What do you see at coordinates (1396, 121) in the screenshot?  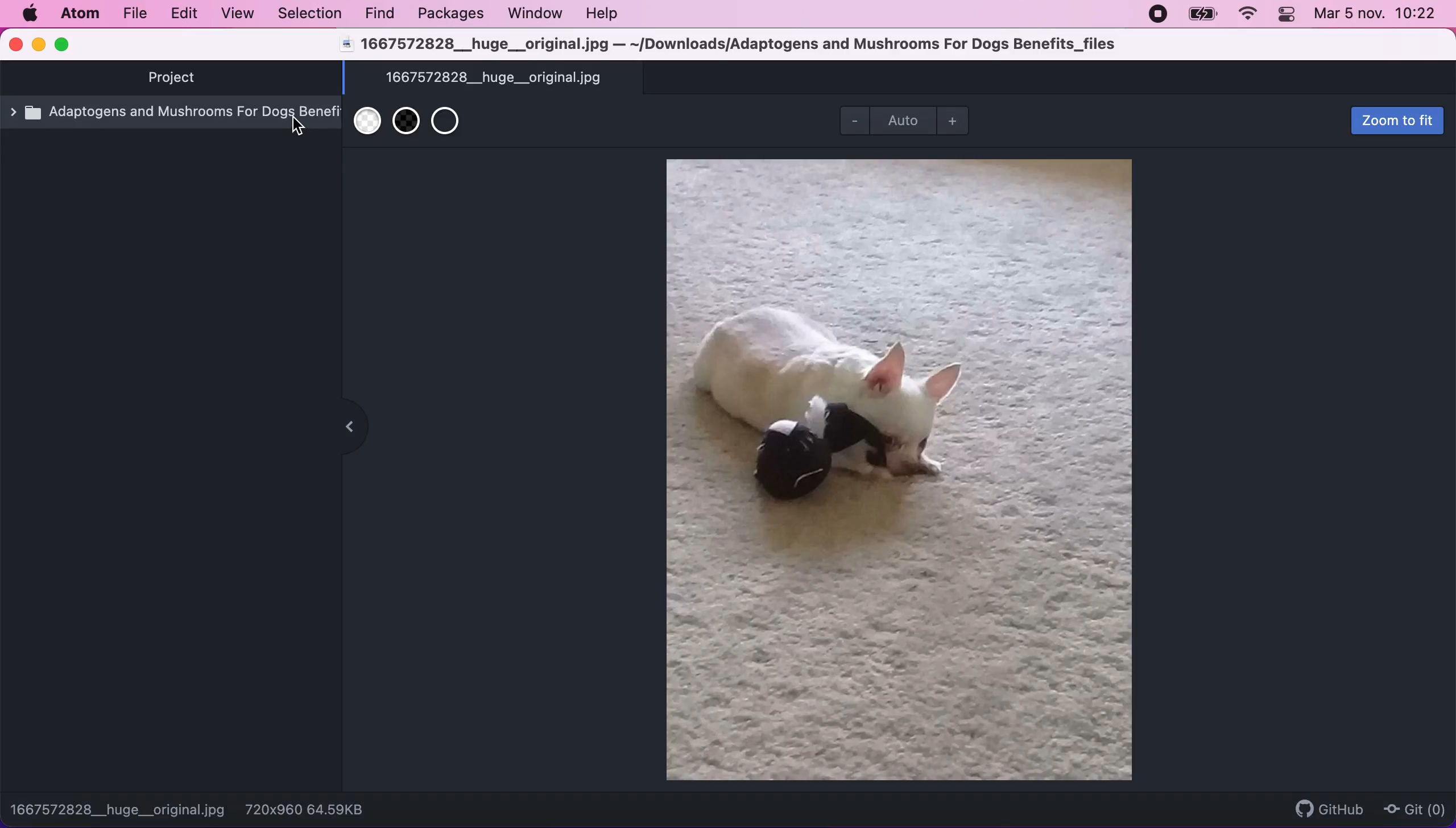 I see `zoom to fit` at bounding box center [1396, 121].